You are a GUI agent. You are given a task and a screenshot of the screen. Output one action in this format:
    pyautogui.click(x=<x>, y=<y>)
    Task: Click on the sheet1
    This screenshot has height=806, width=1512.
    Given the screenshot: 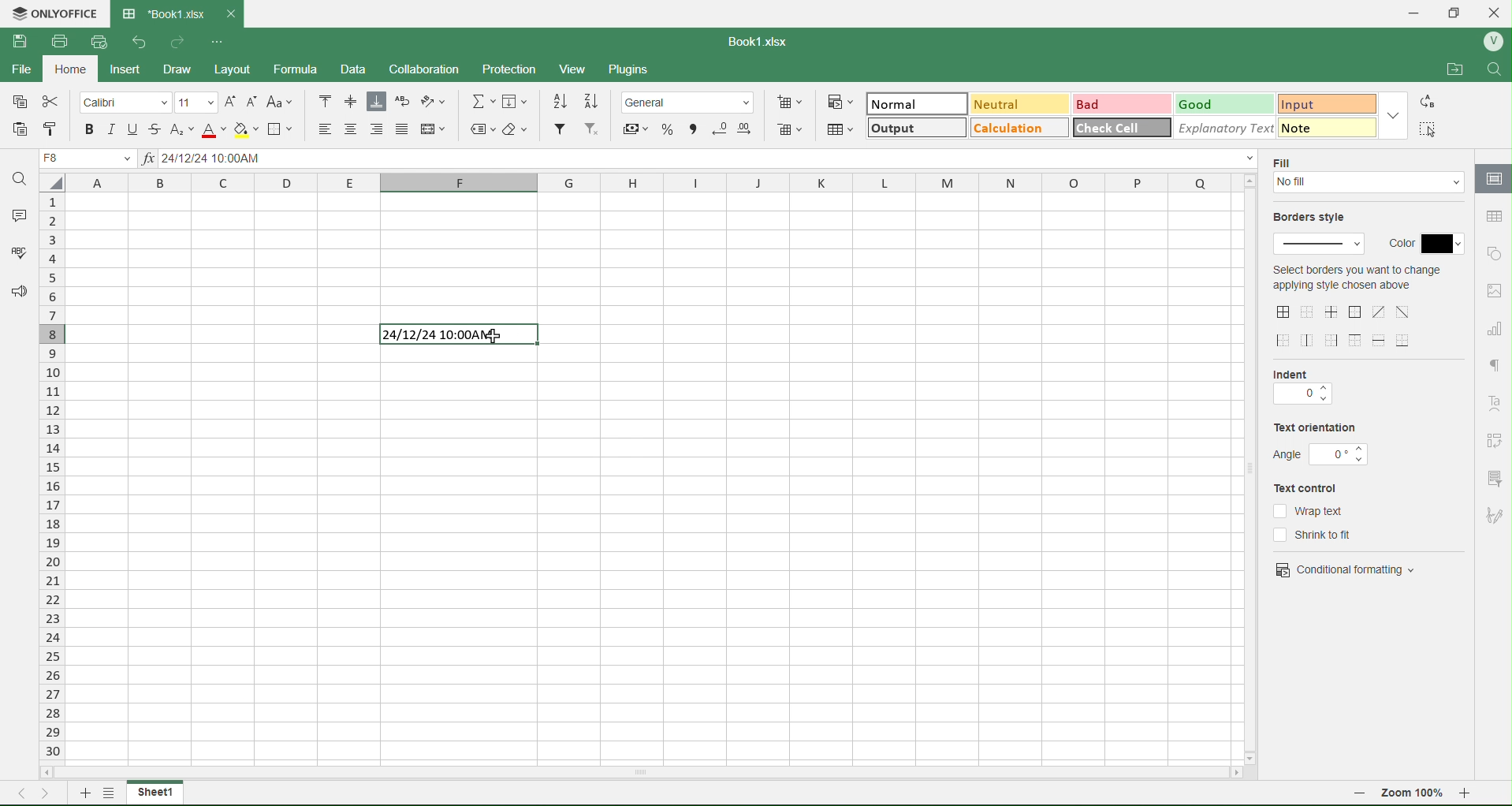 What is the action you would take?
    pyautogui.click(x=155, y=793)
    